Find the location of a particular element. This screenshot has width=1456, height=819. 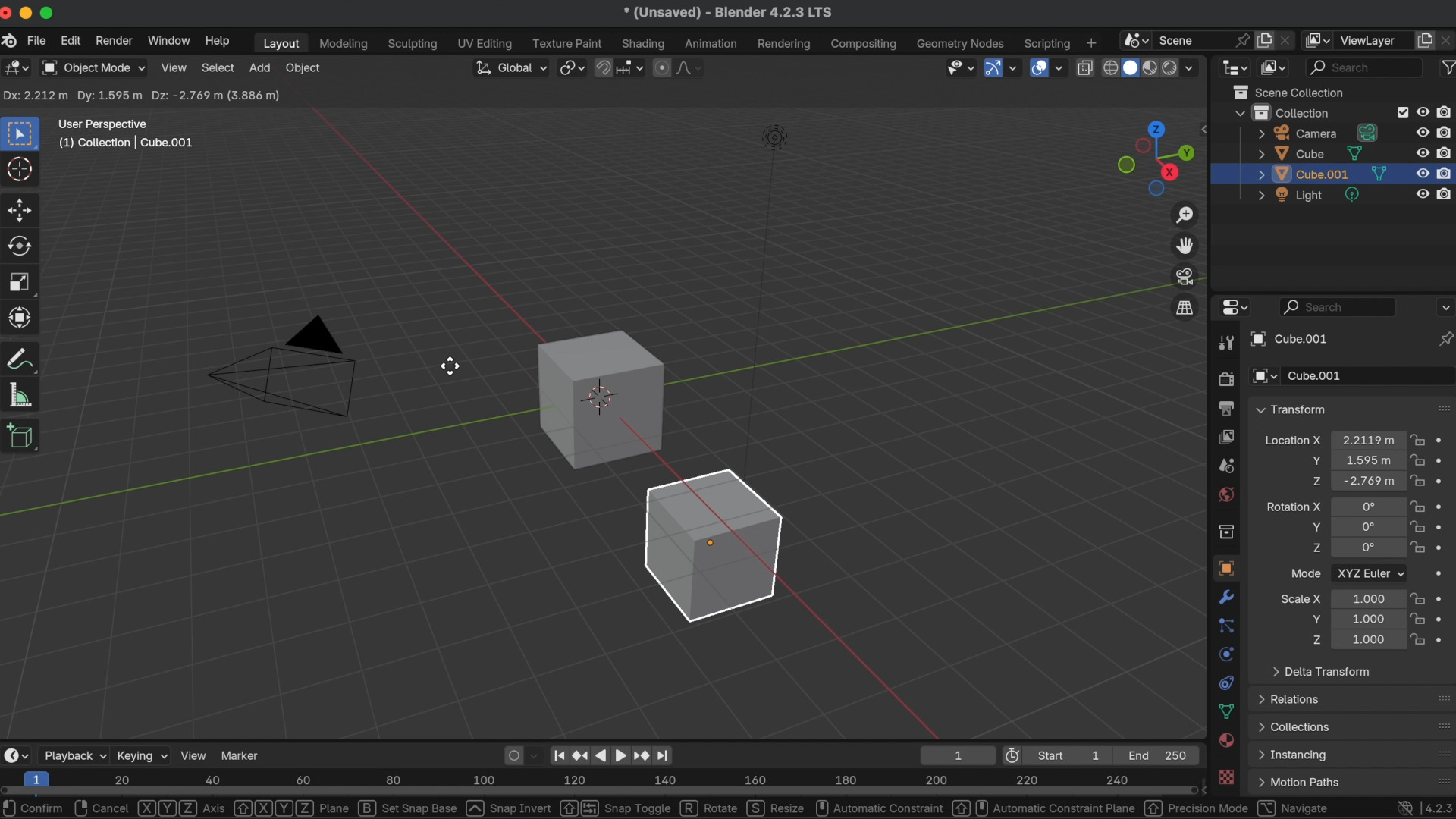

scale is located at coordinates (21, 282).